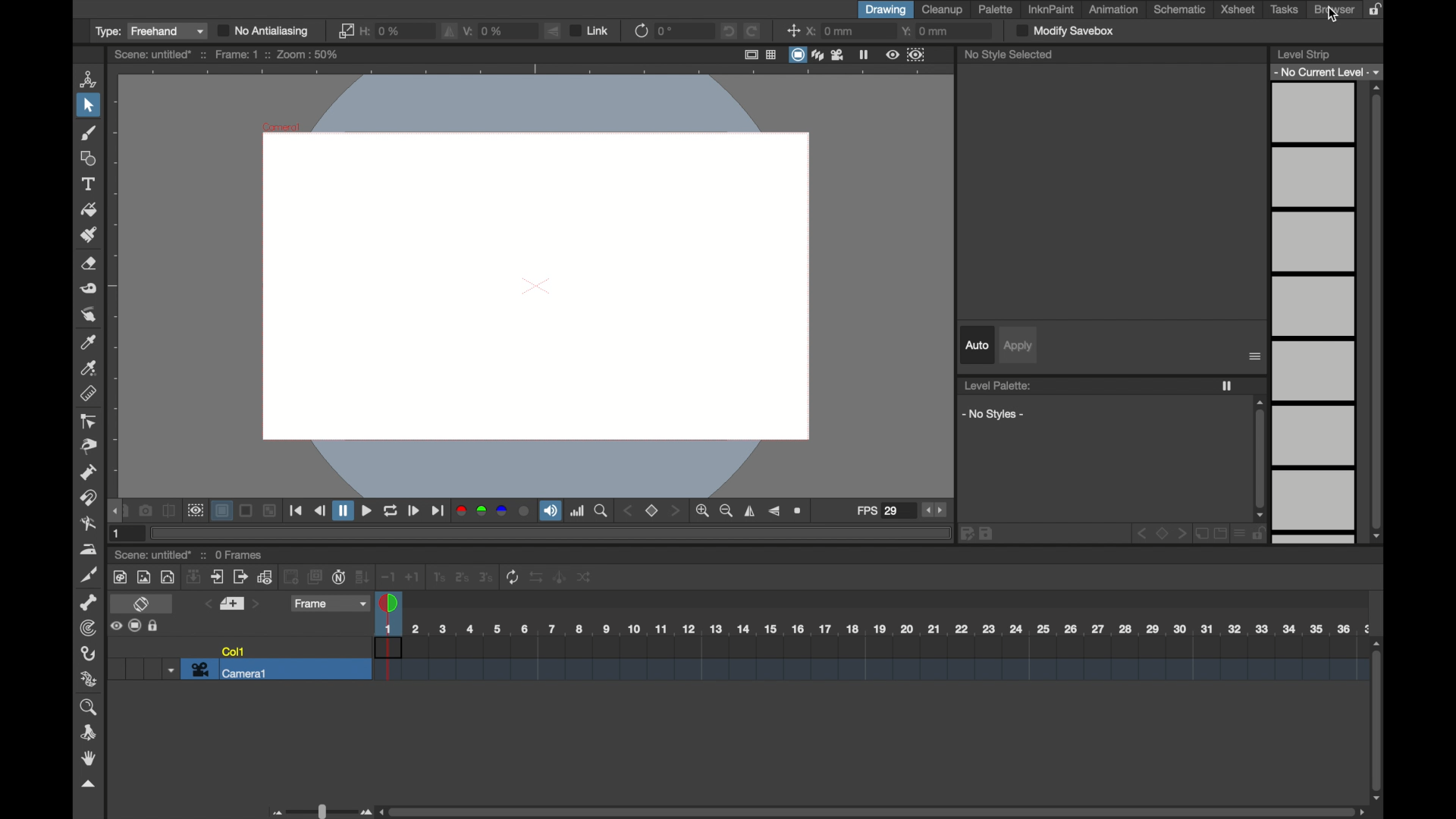  What do you see at coordinates (221, 510) in the screenshot?
I see `layer` at bounding box center [221, 510].